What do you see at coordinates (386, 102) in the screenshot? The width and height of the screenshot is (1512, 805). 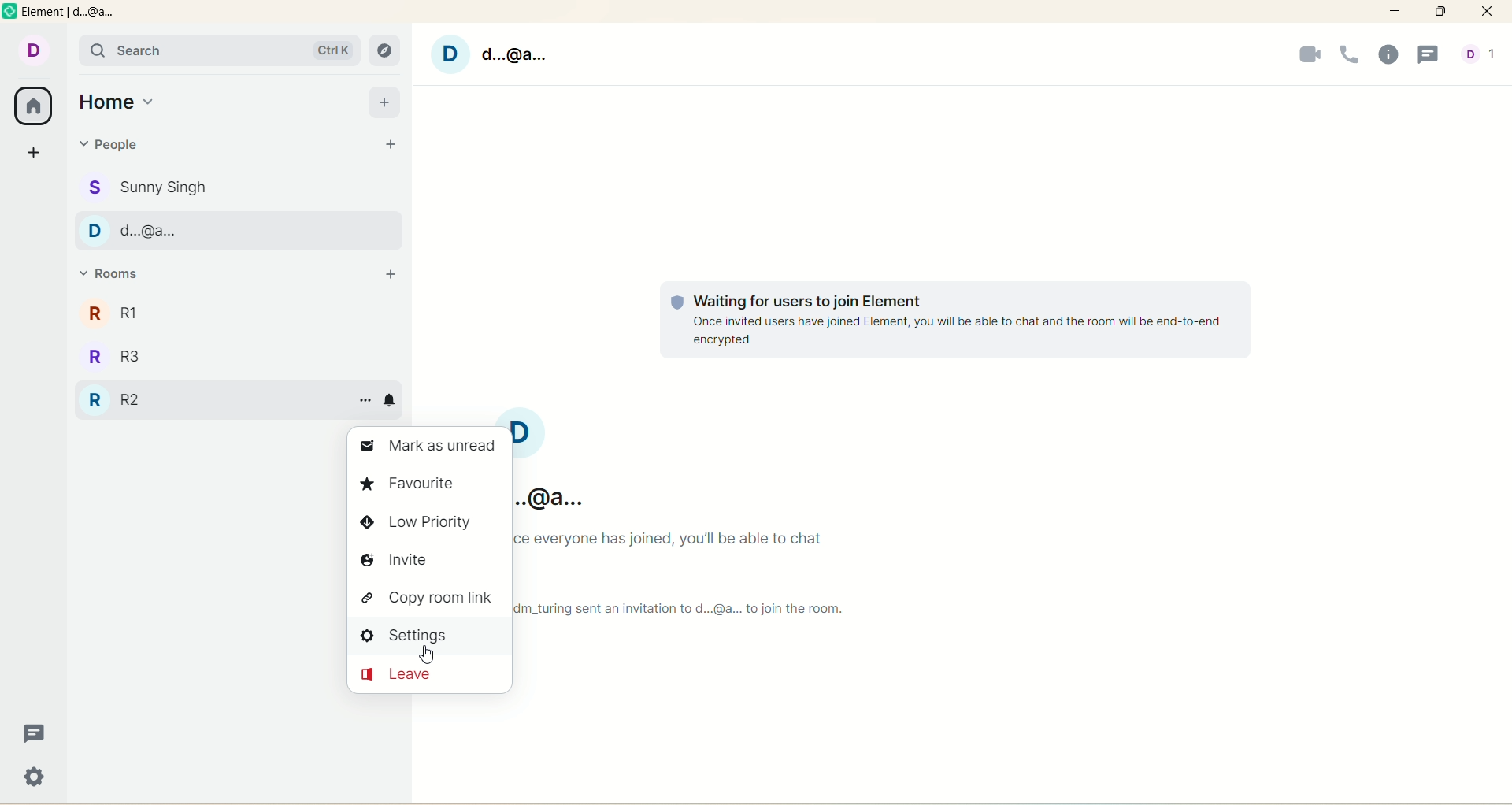 I see `add` at bounding box center [386, 102].